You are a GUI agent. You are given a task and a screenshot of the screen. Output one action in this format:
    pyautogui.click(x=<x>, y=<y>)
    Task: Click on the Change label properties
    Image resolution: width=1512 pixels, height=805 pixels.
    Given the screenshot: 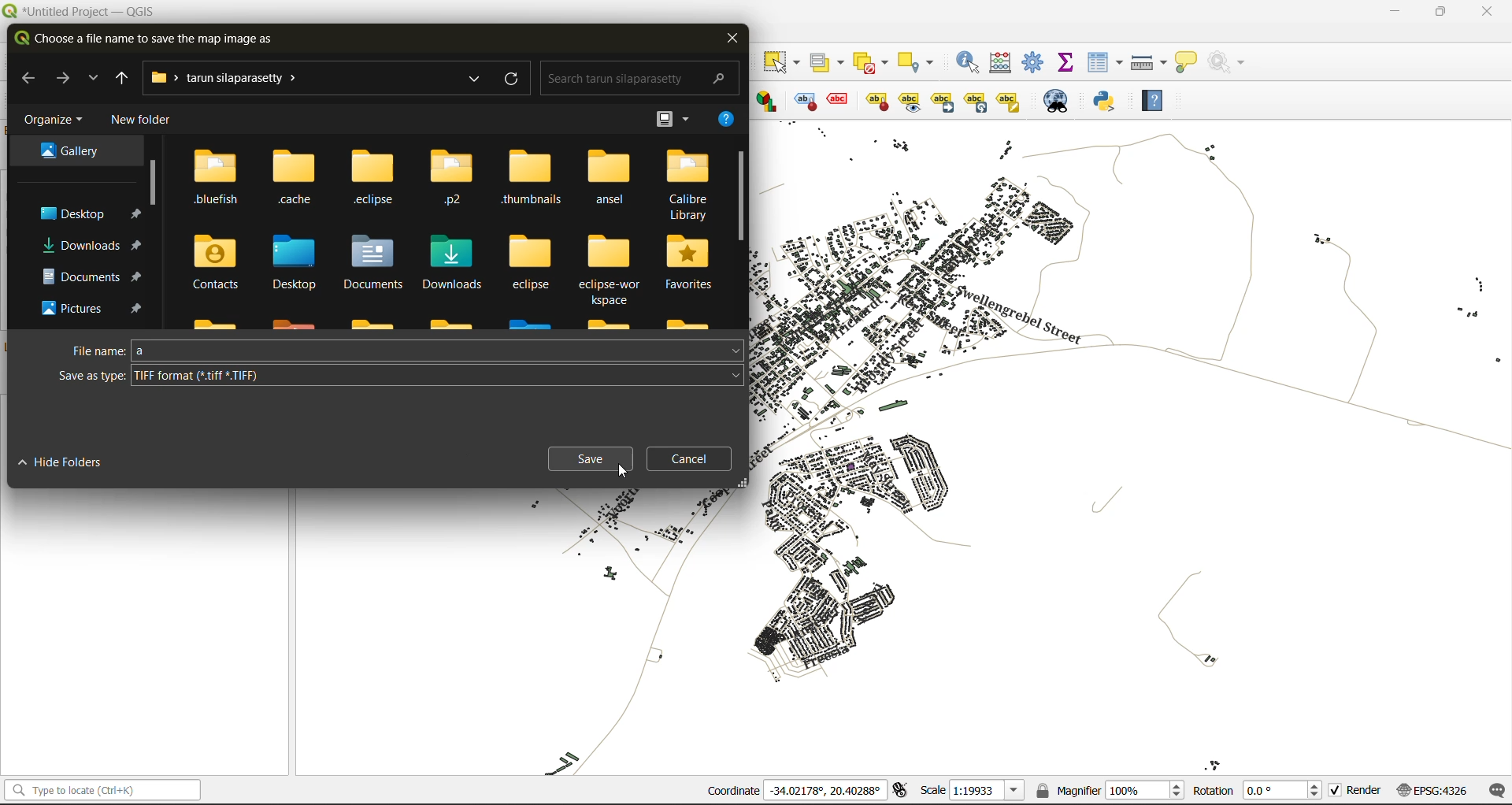 What is the action you would take?
    pyautogui.click(x=1009, y=100)
    